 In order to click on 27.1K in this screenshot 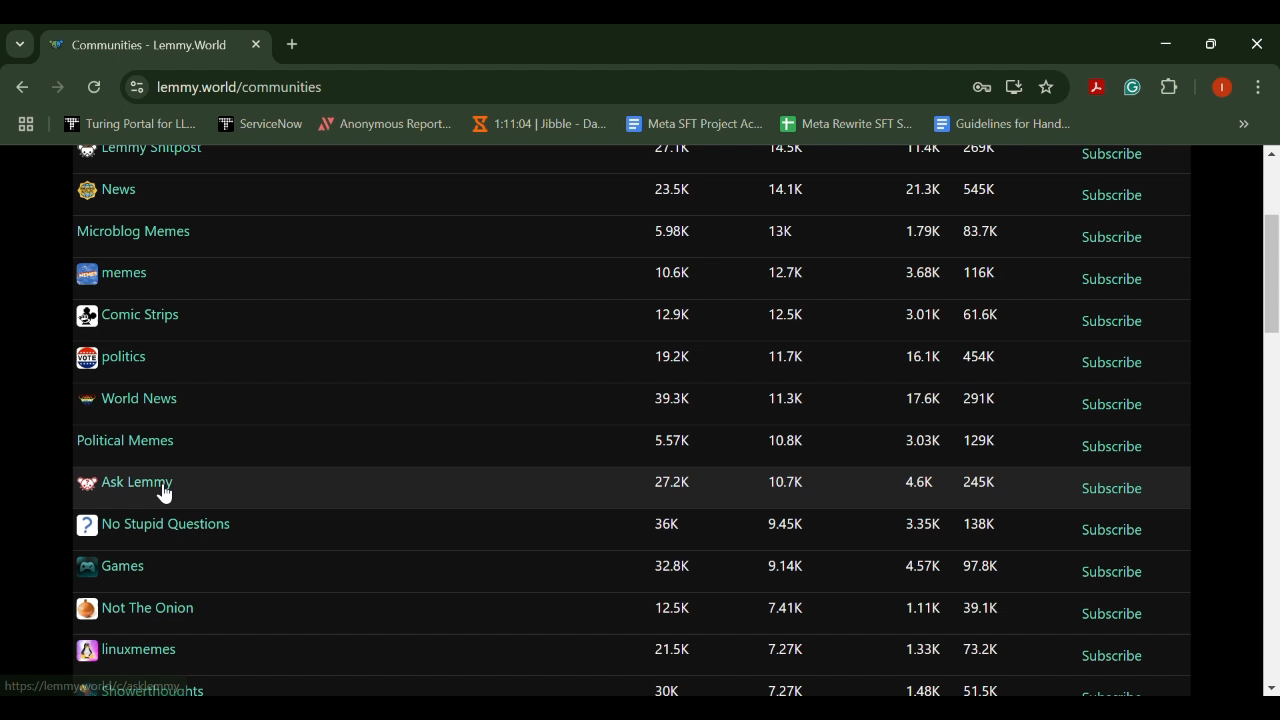, I will do `click(674, 151)`.